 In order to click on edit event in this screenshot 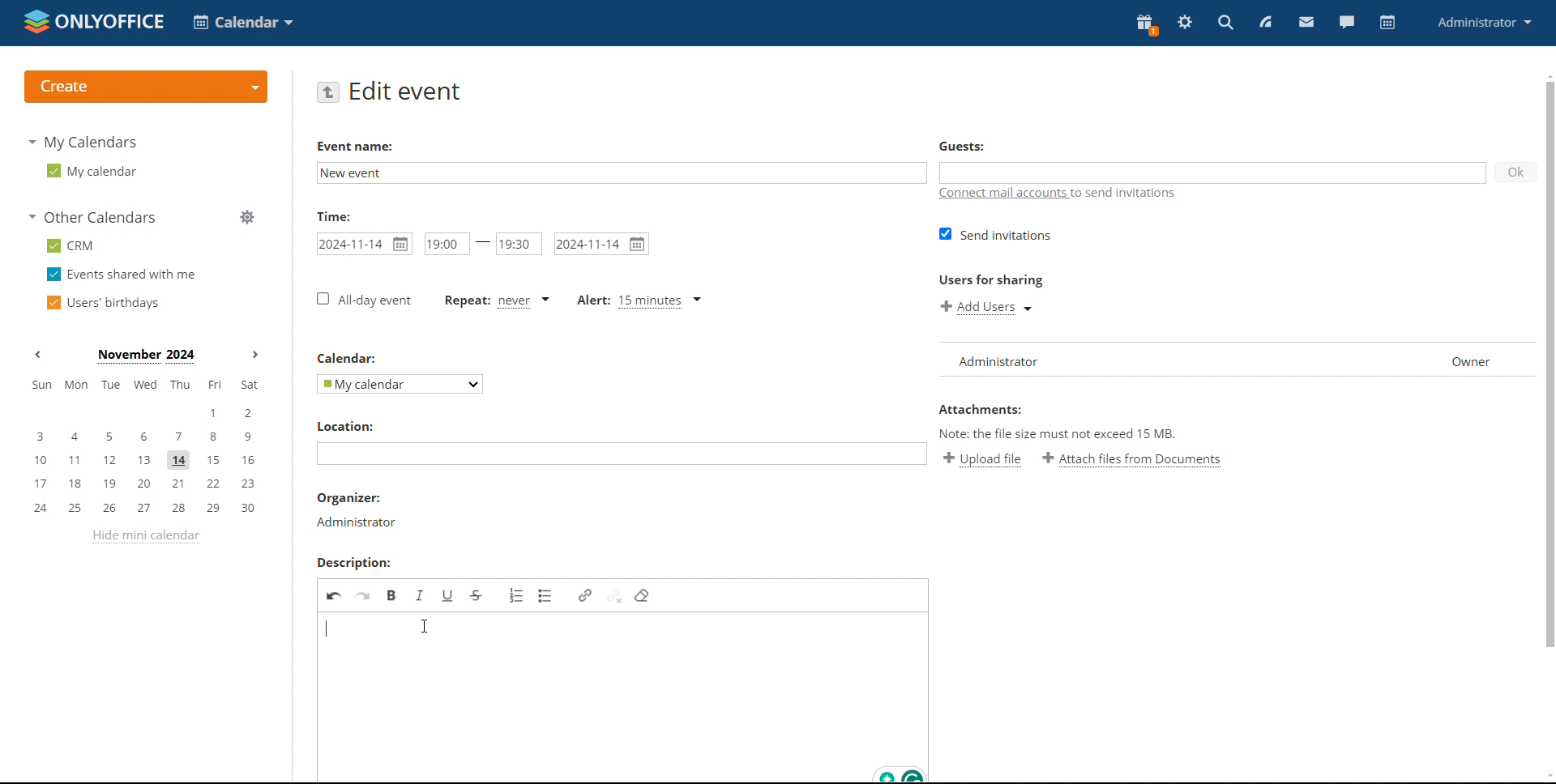, I will do `click(407, 92)`.